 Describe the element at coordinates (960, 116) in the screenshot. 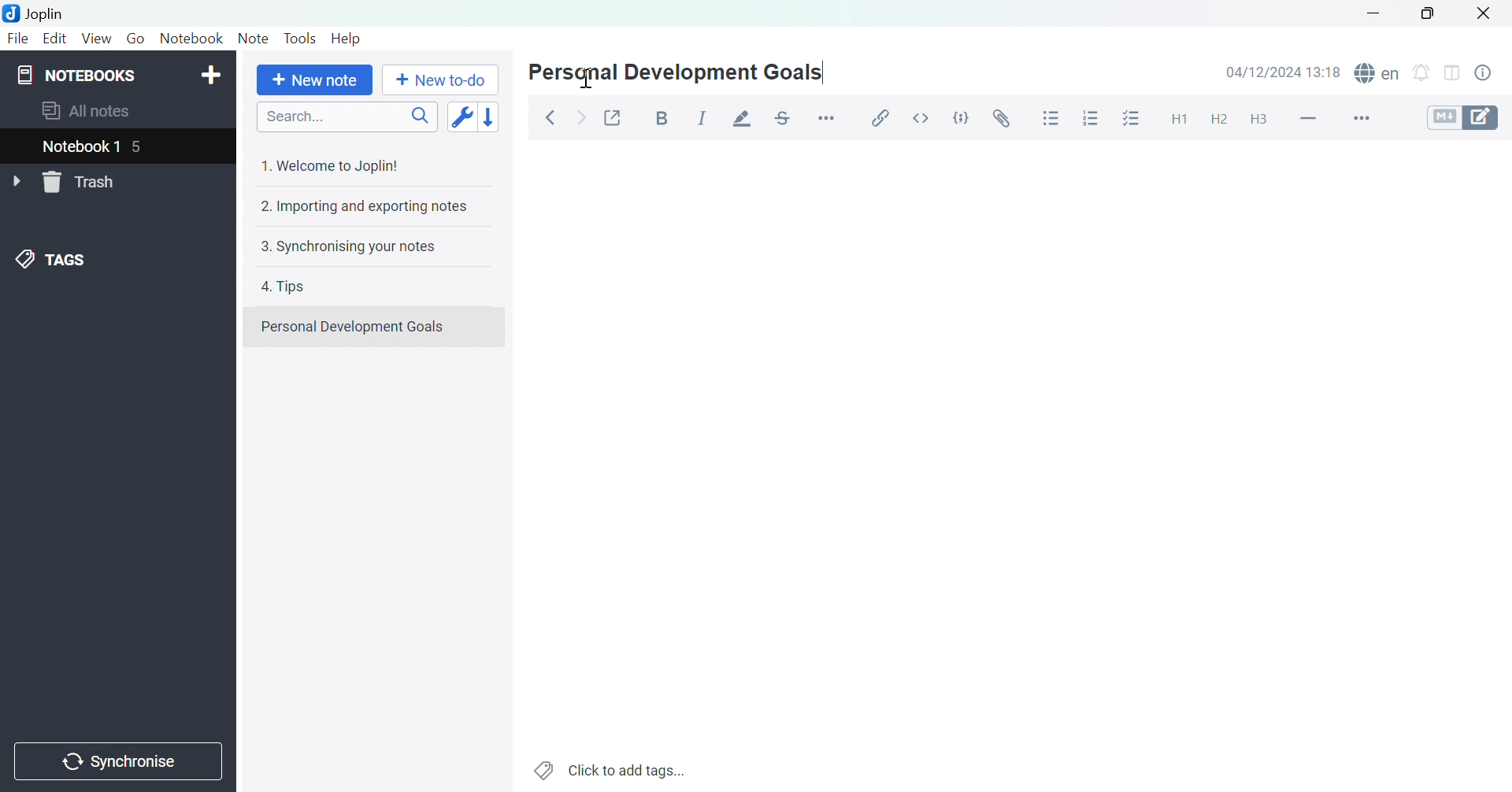

I see `Code` at that location.